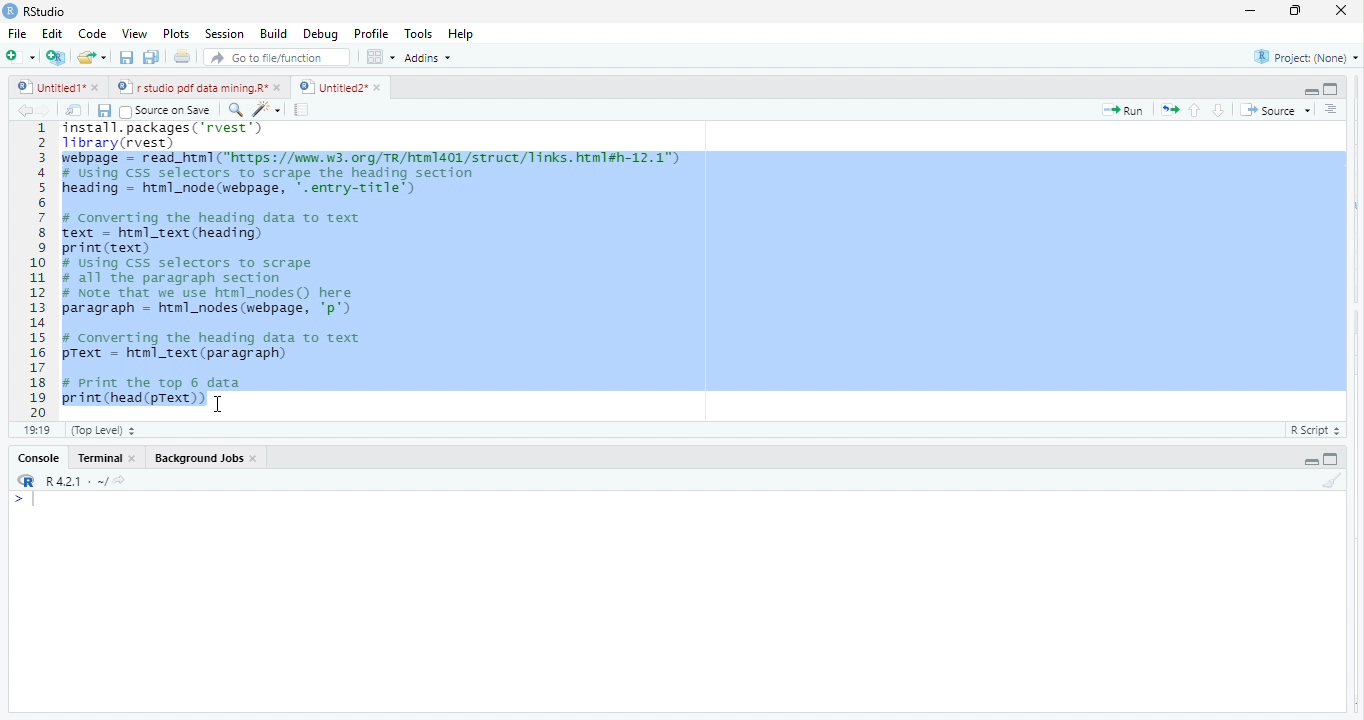 Image resolution: width=1364 pixels, height=720 pixels. I want to click on terminal, so click(102, 458).